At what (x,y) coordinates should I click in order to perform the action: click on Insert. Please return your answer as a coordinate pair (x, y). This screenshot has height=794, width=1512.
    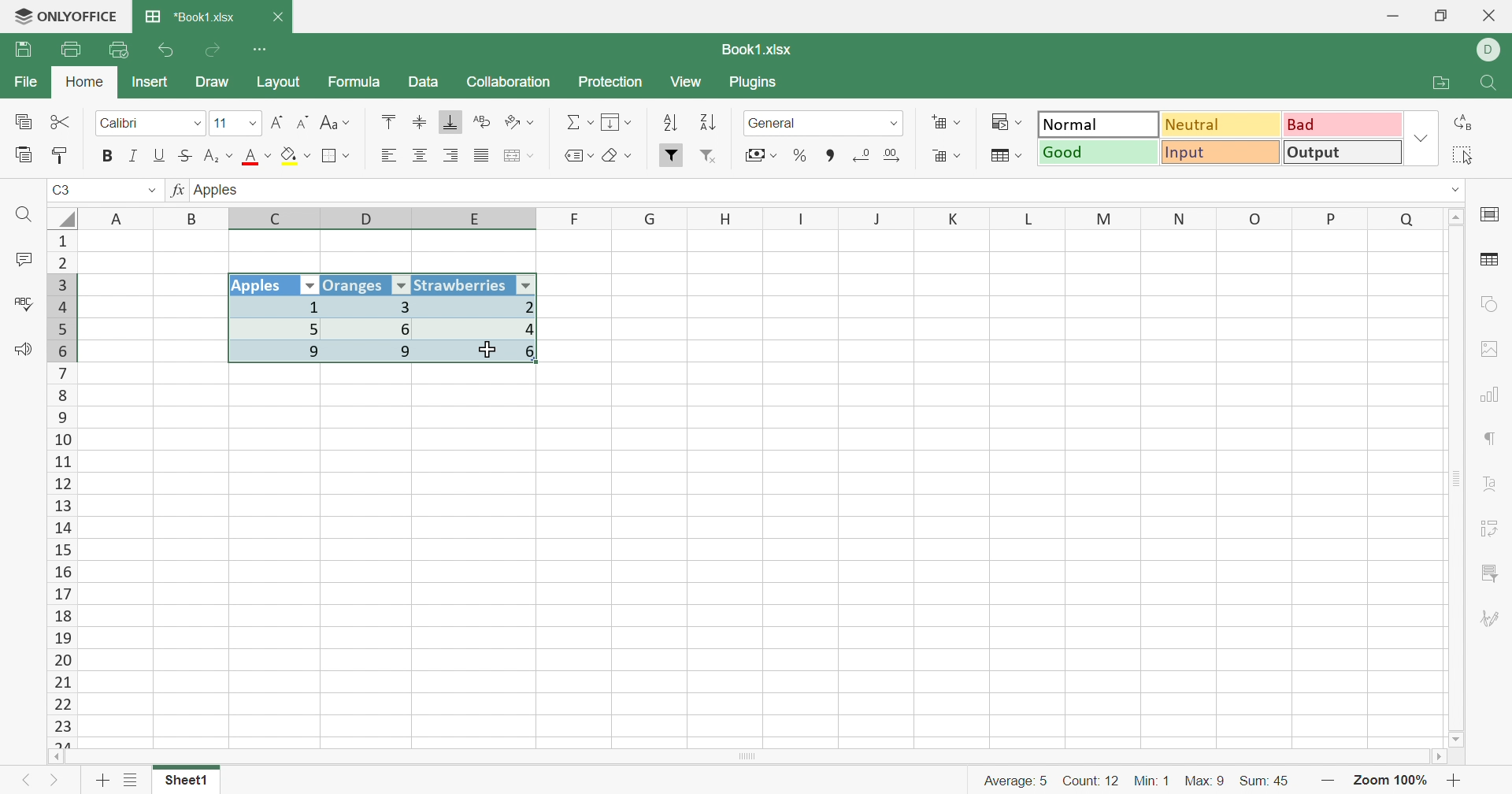
    Looking at the image, I should click on (150, 81).